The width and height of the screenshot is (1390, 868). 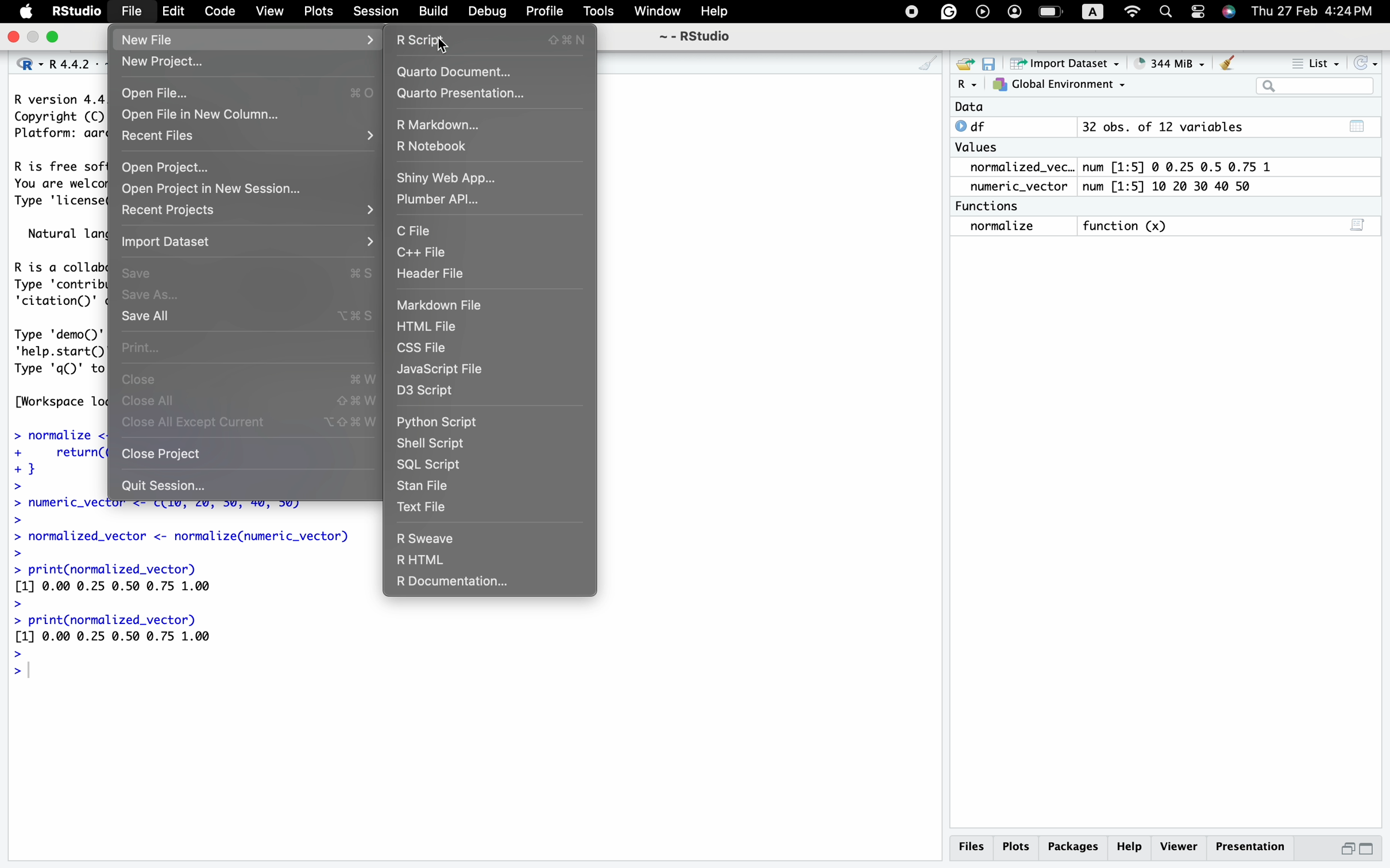 What do you see at coordinates (449, 179) in the screenshot?
I see `Shiny Web App...` at bounding box center [449, 179].